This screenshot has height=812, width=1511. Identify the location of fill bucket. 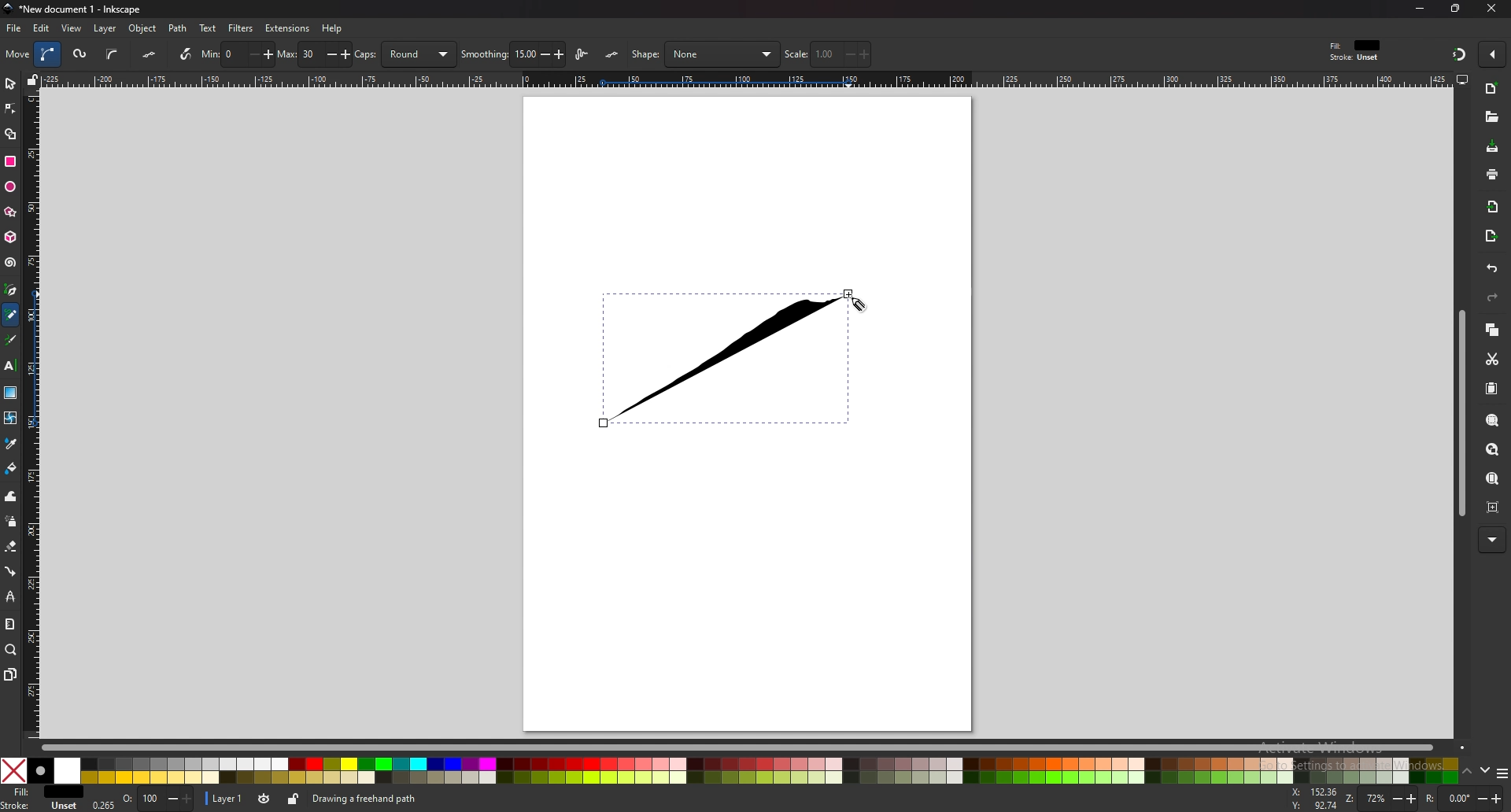
(10, 468).